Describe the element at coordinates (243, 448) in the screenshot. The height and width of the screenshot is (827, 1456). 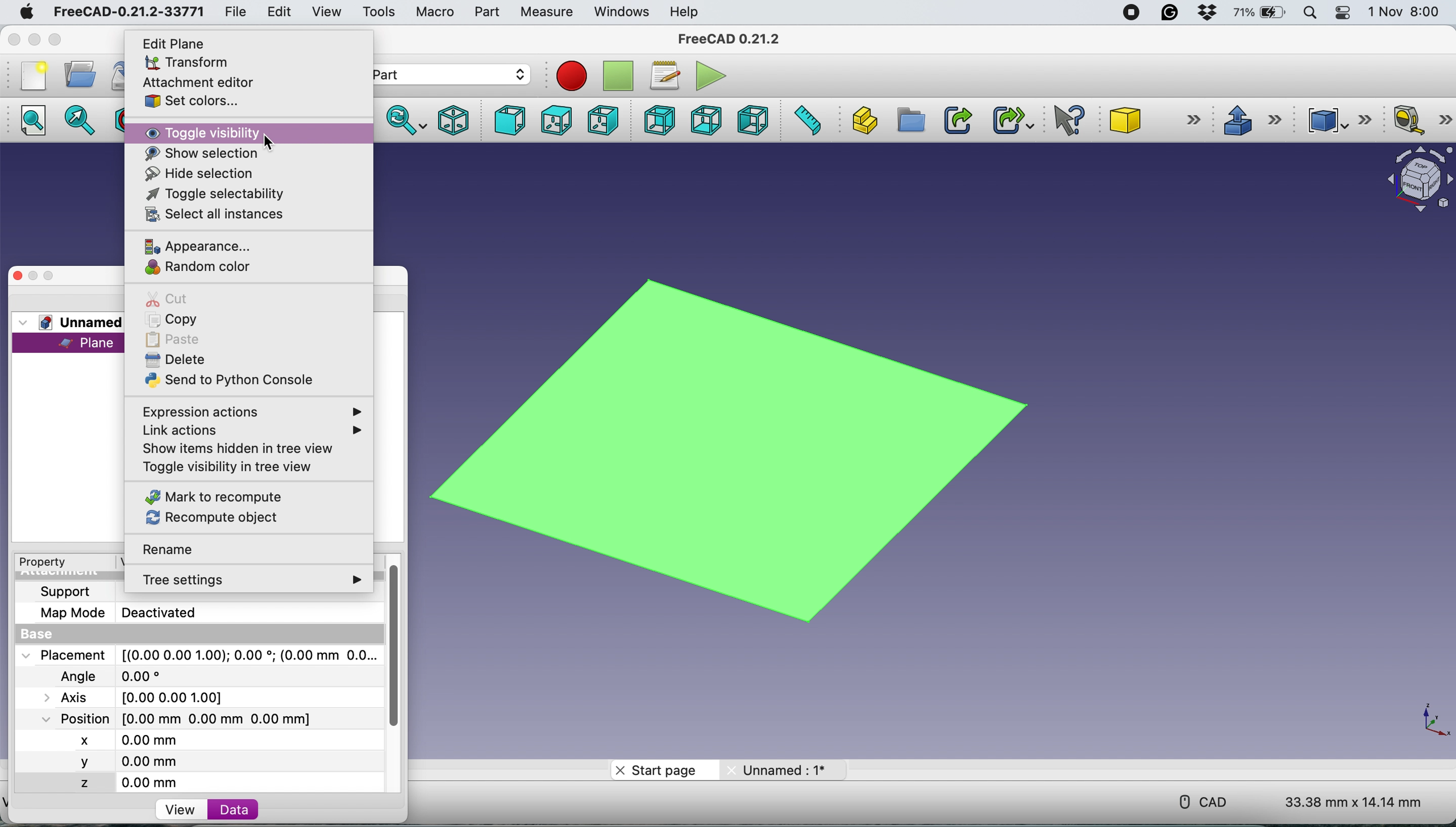
I see `show items hidden in tree view` at that location.